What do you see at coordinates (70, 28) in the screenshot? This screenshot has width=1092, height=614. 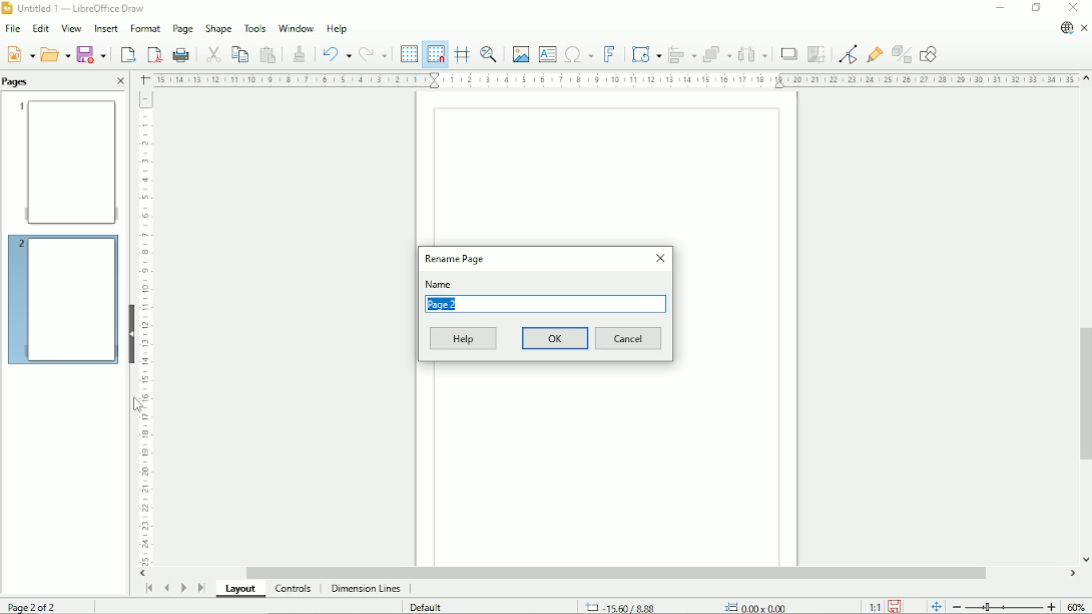 I see `View` at bounding box center [70, 28].